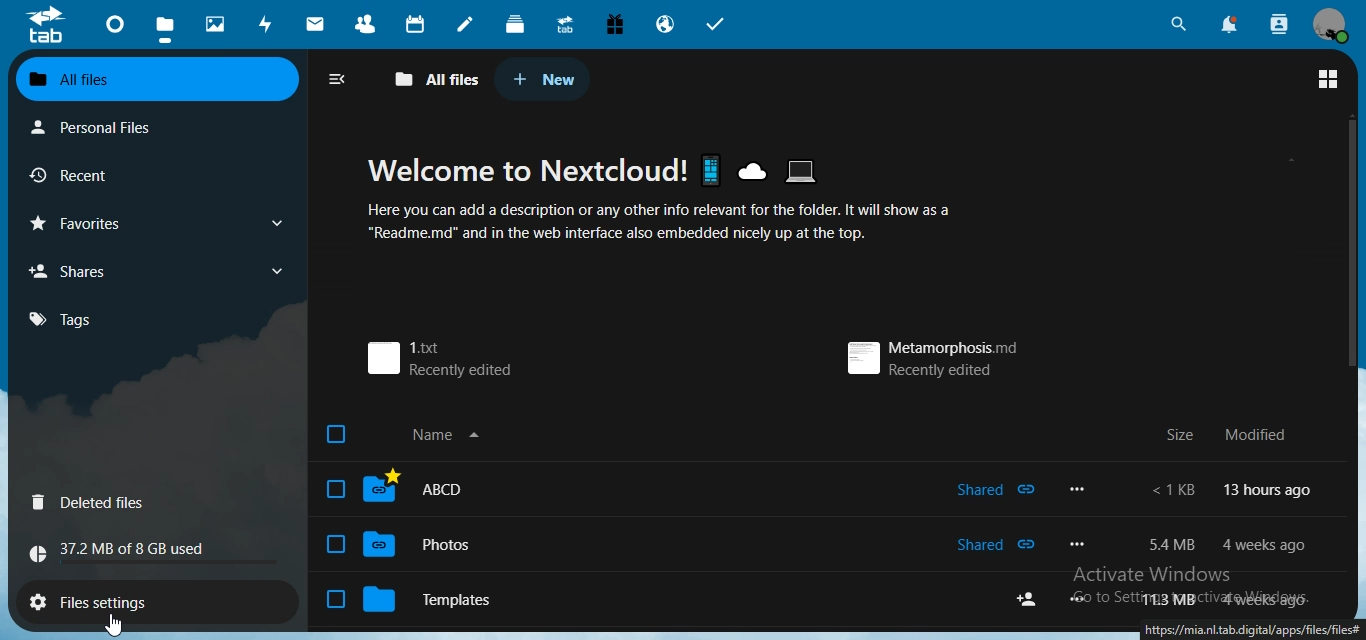  I want to click on cursor, so click(114, 624).